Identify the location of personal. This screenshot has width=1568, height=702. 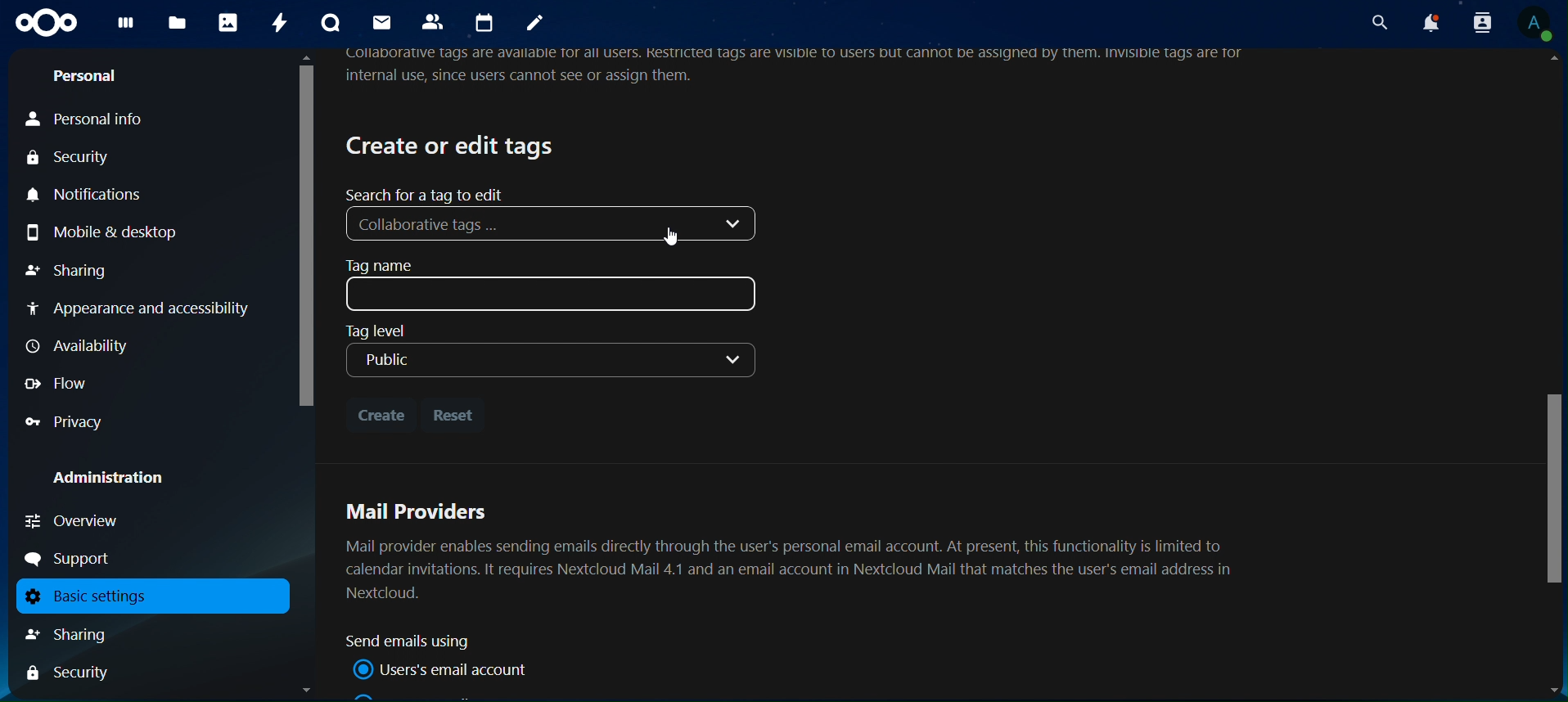
(86, 79).